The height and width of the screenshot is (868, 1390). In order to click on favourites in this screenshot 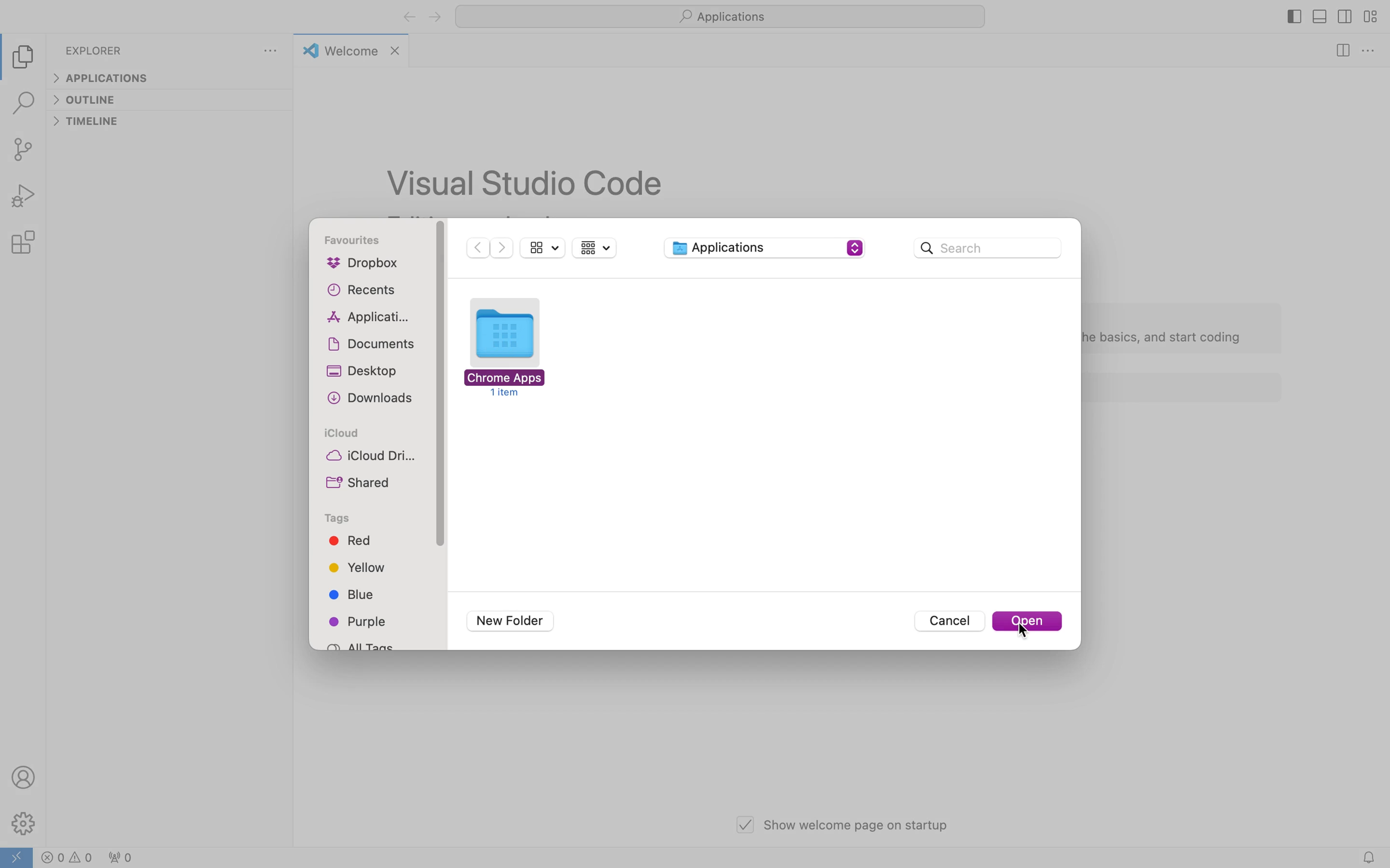, I will do `click(357, 241)`.